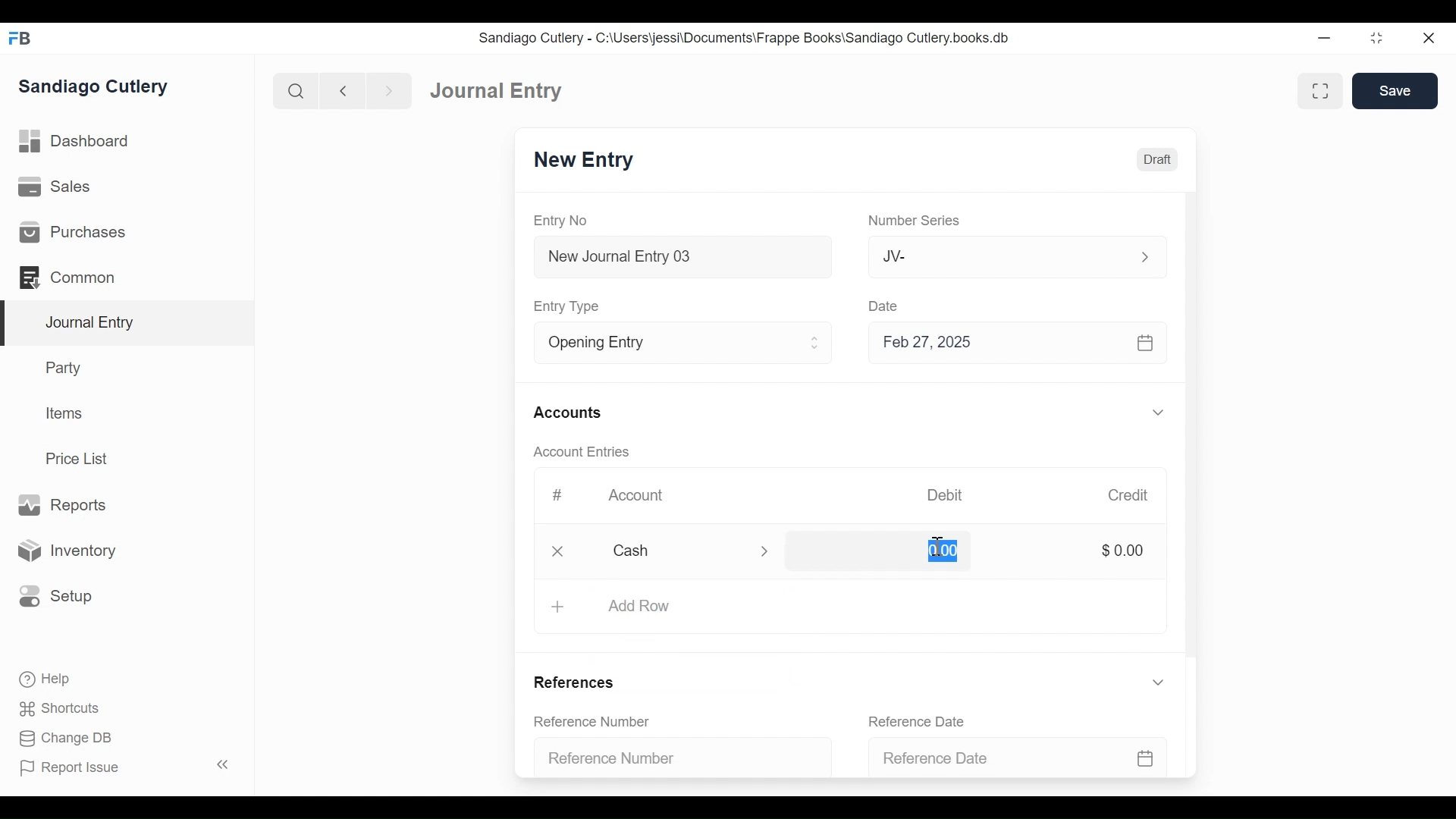 Image resolution: width=1456 pixels, height=819 pixels. Describe the element at coordinates (62, 413) in the screenshot. I see `Items` at that location.